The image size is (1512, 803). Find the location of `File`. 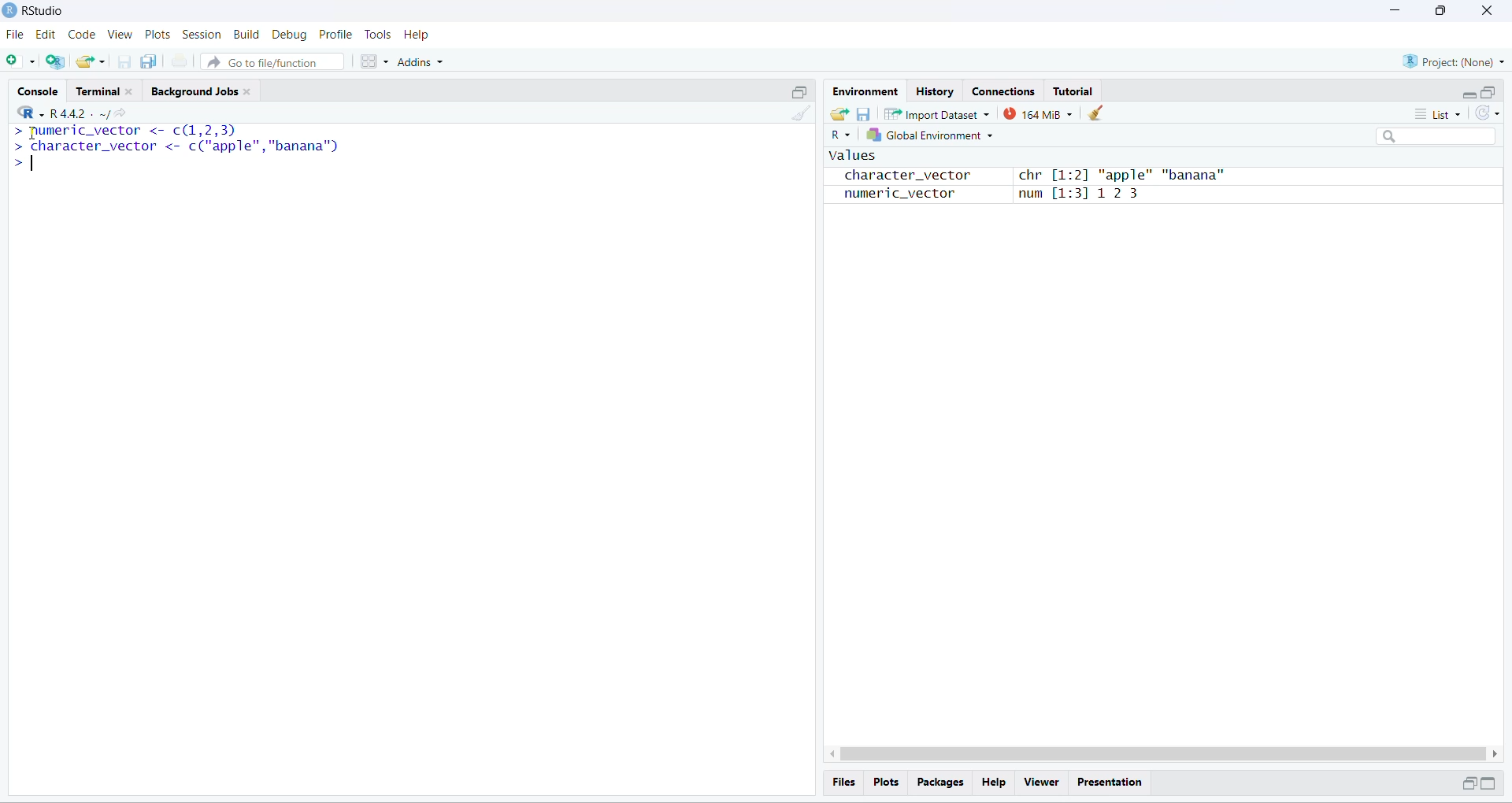

File is located at coordinates (16, 35).